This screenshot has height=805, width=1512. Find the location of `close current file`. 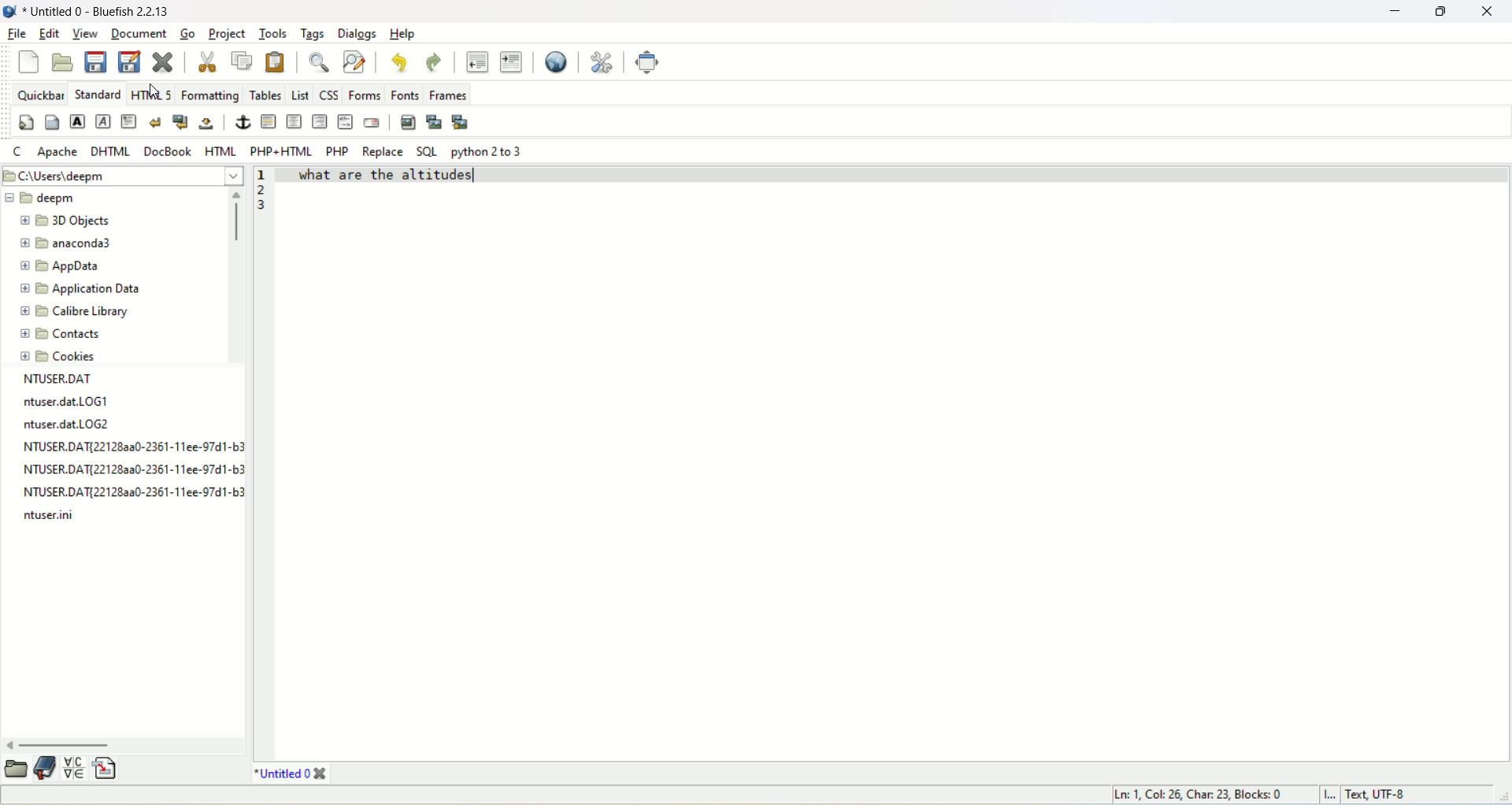

close current file is located at coordinates (162, 63).